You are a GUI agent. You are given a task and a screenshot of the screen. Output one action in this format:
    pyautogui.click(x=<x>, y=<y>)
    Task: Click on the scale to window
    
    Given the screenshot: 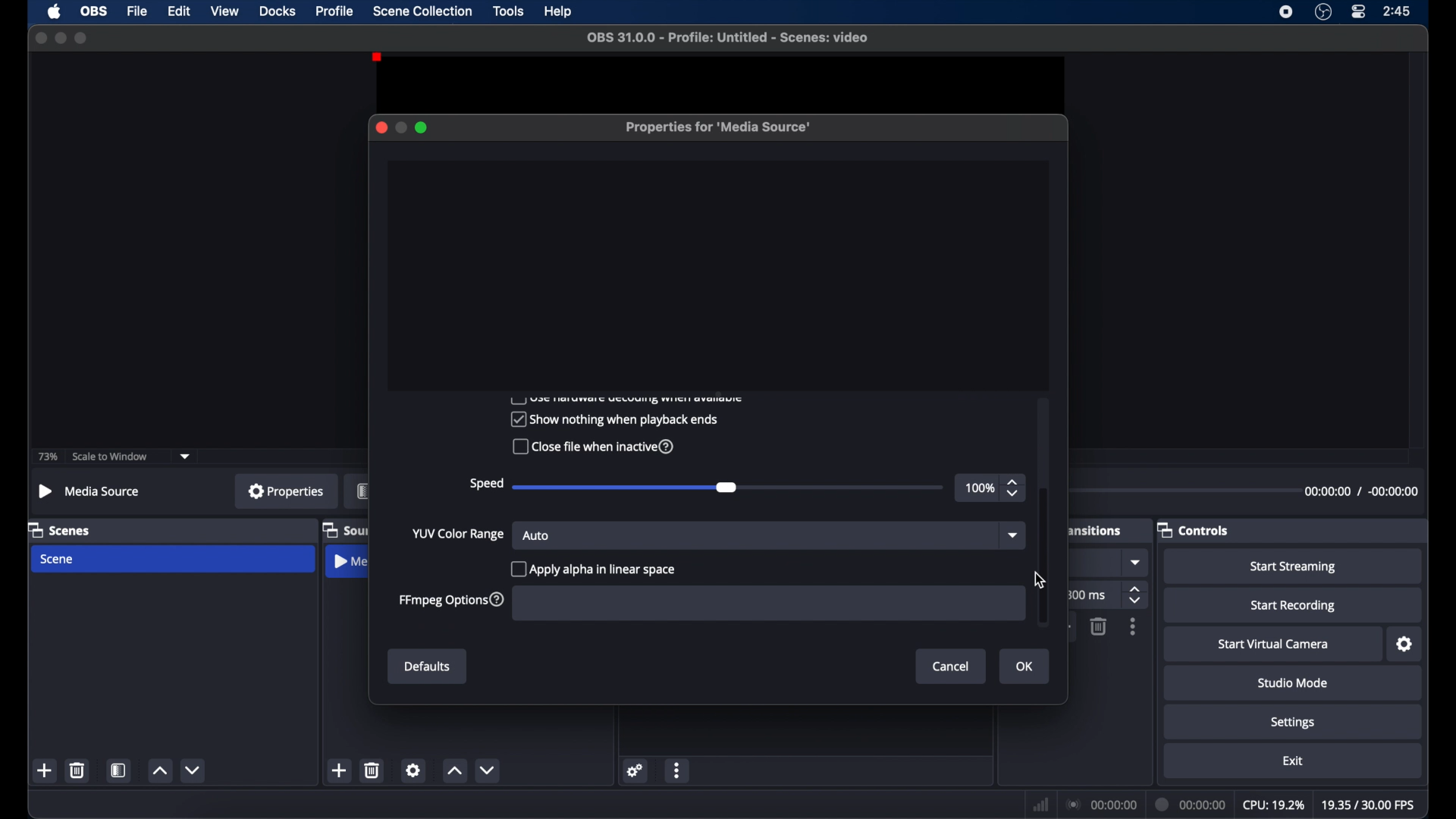 What is the action you would take?
    pyautogui.click(x=112, y=457)
    